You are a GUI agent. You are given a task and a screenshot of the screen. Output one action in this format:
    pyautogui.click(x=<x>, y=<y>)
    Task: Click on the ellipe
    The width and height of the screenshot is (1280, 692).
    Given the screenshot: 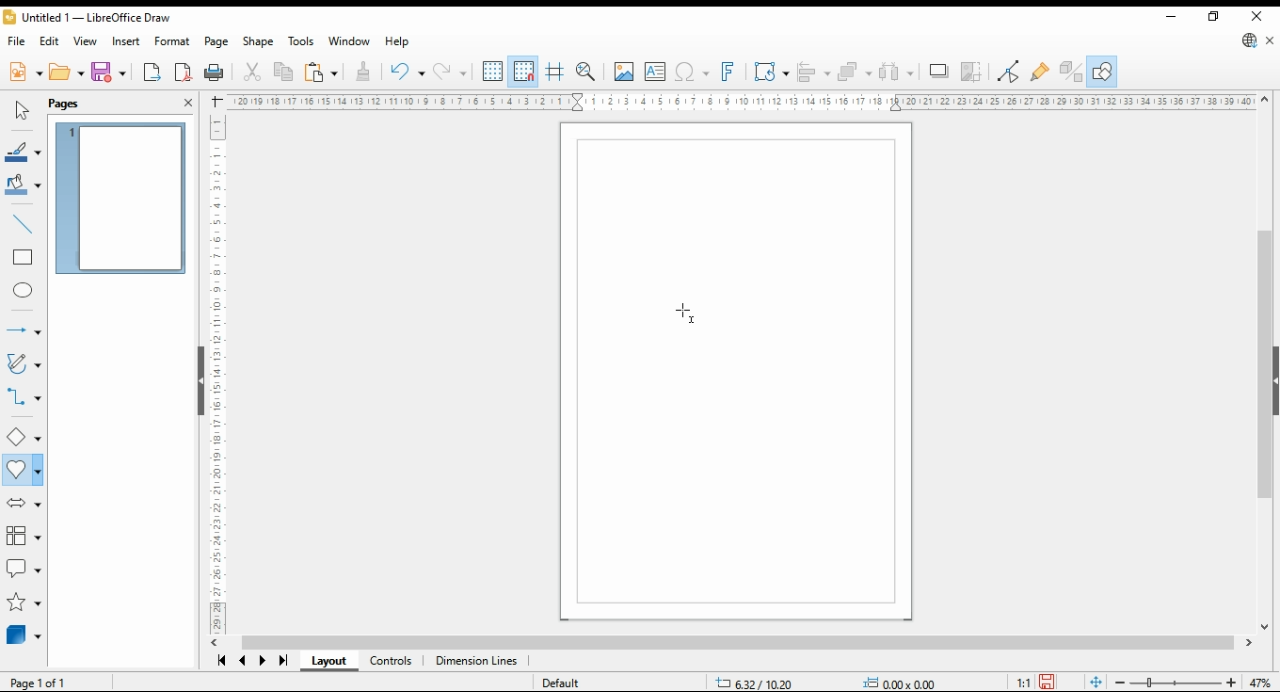 What is the action you would take?
    pyautogui.click(x=24, y=291)
    